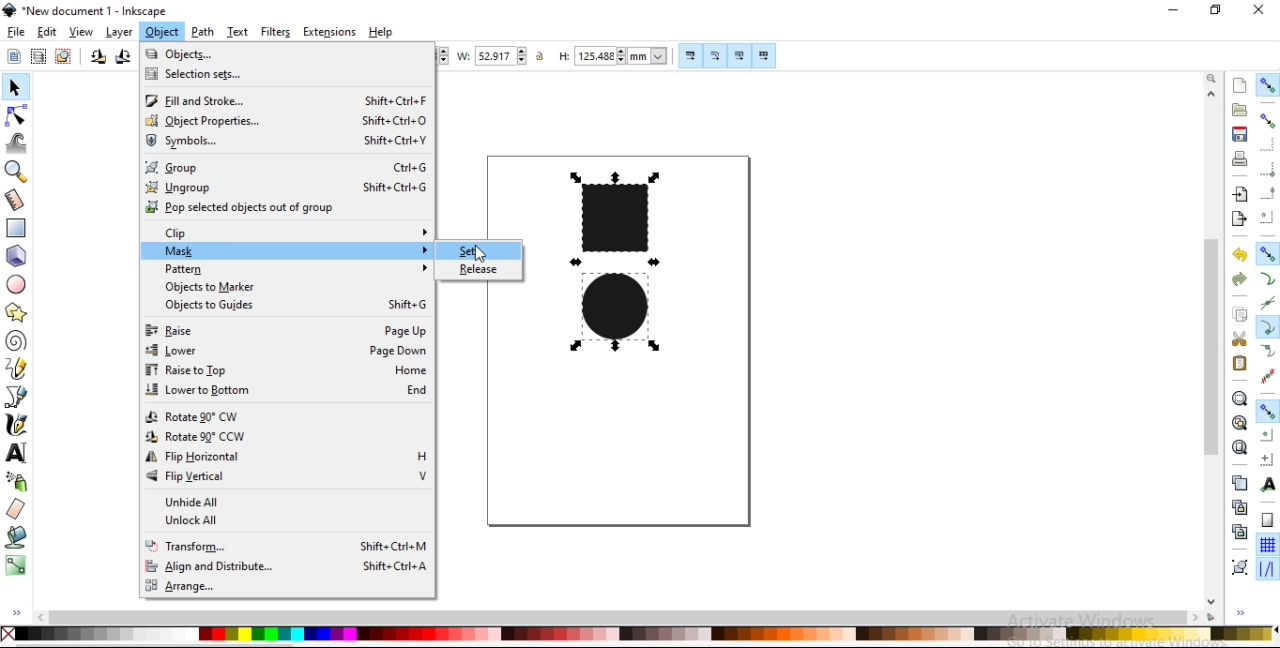  Describe the element at coordinates (295, 522) in the screenshot. I see `unlock all` at that location.